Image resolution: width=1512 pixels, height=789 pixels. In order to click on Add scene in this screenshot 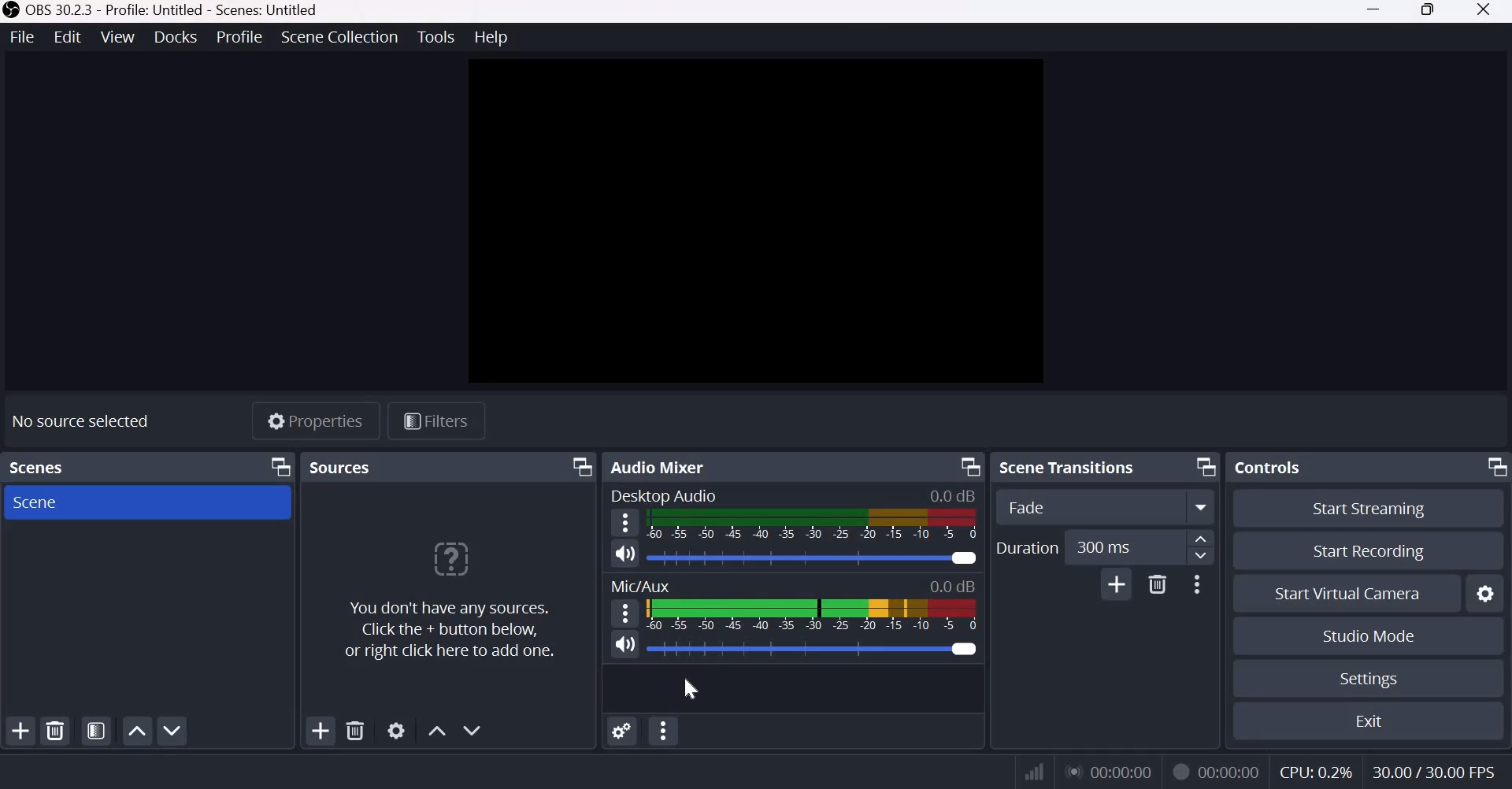, I will do `click(20, 730)`.